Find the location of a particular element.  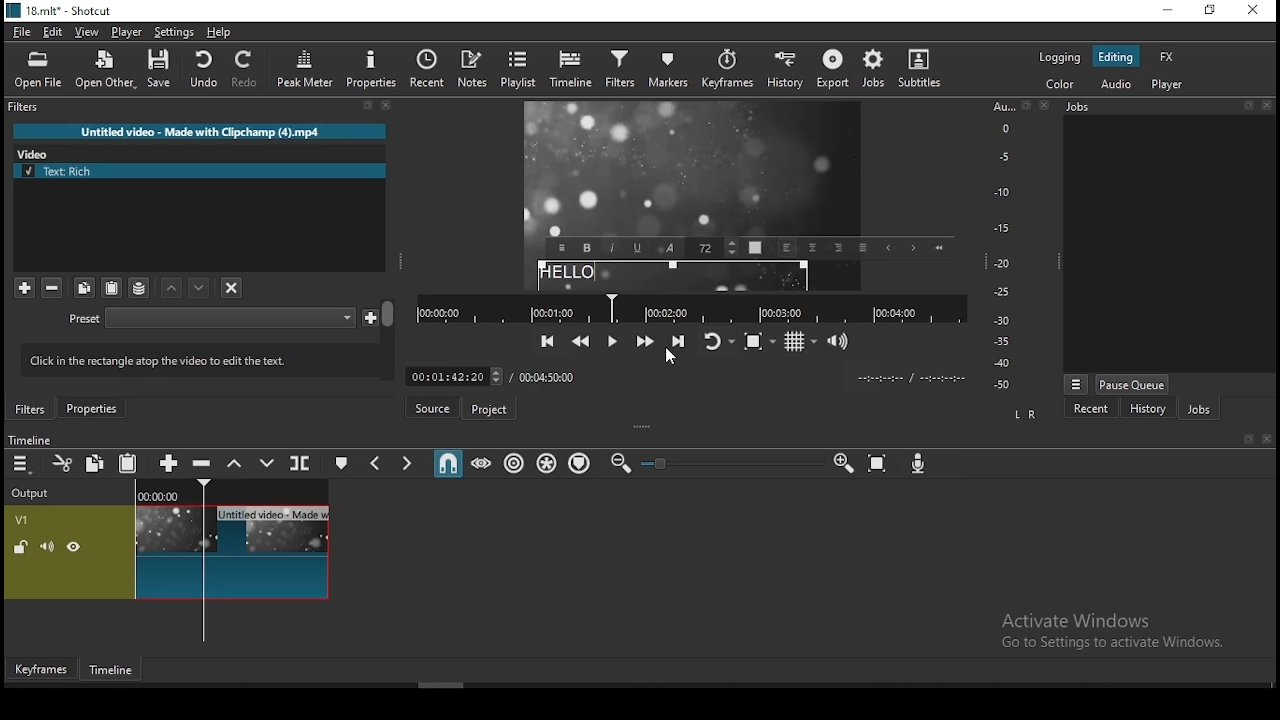

Right align is located at coordinates (838, 246).